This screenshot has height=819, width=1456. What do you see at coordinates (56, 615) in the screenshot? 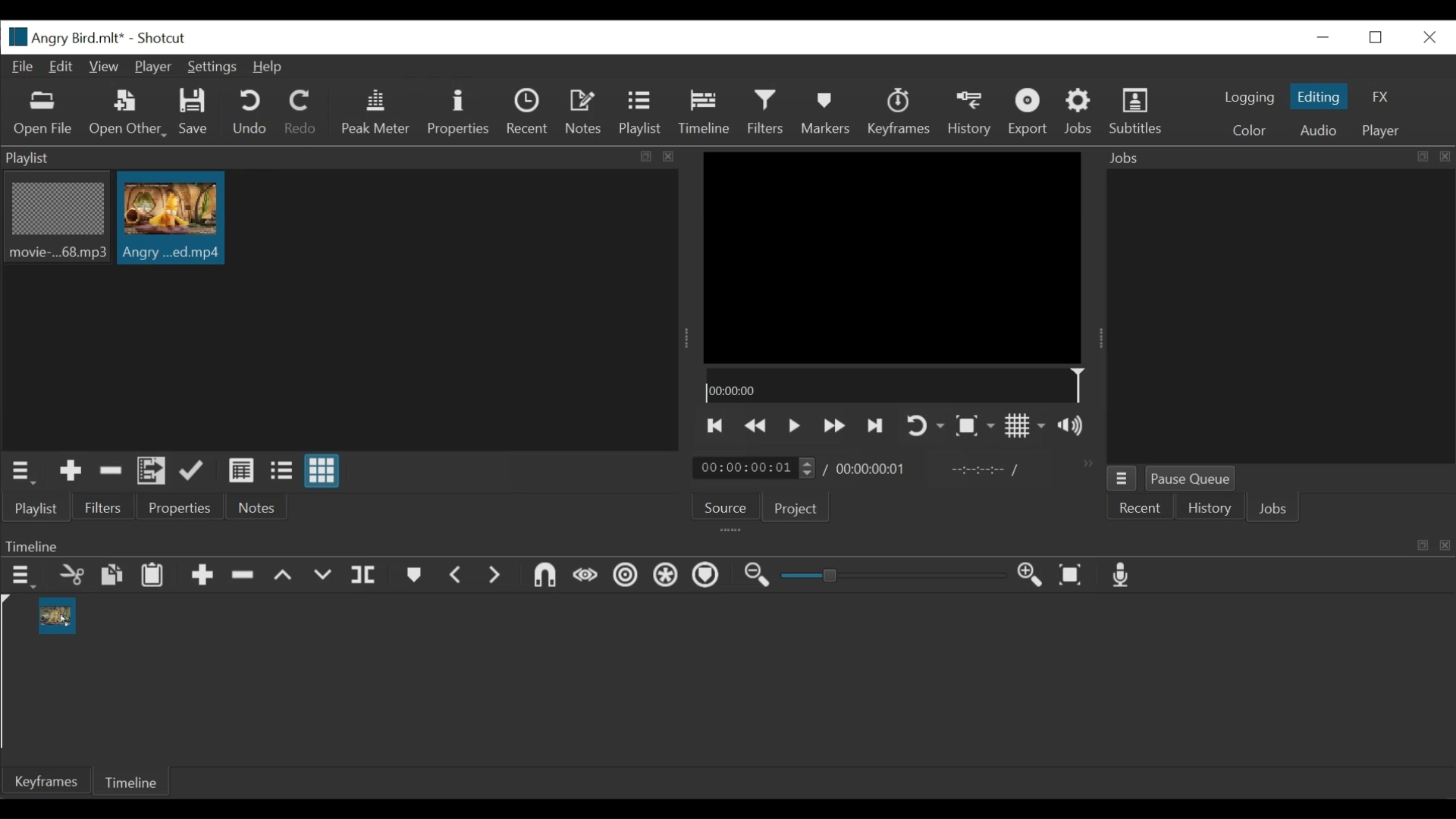
I see `Clip` at bounding box center [56, 615].